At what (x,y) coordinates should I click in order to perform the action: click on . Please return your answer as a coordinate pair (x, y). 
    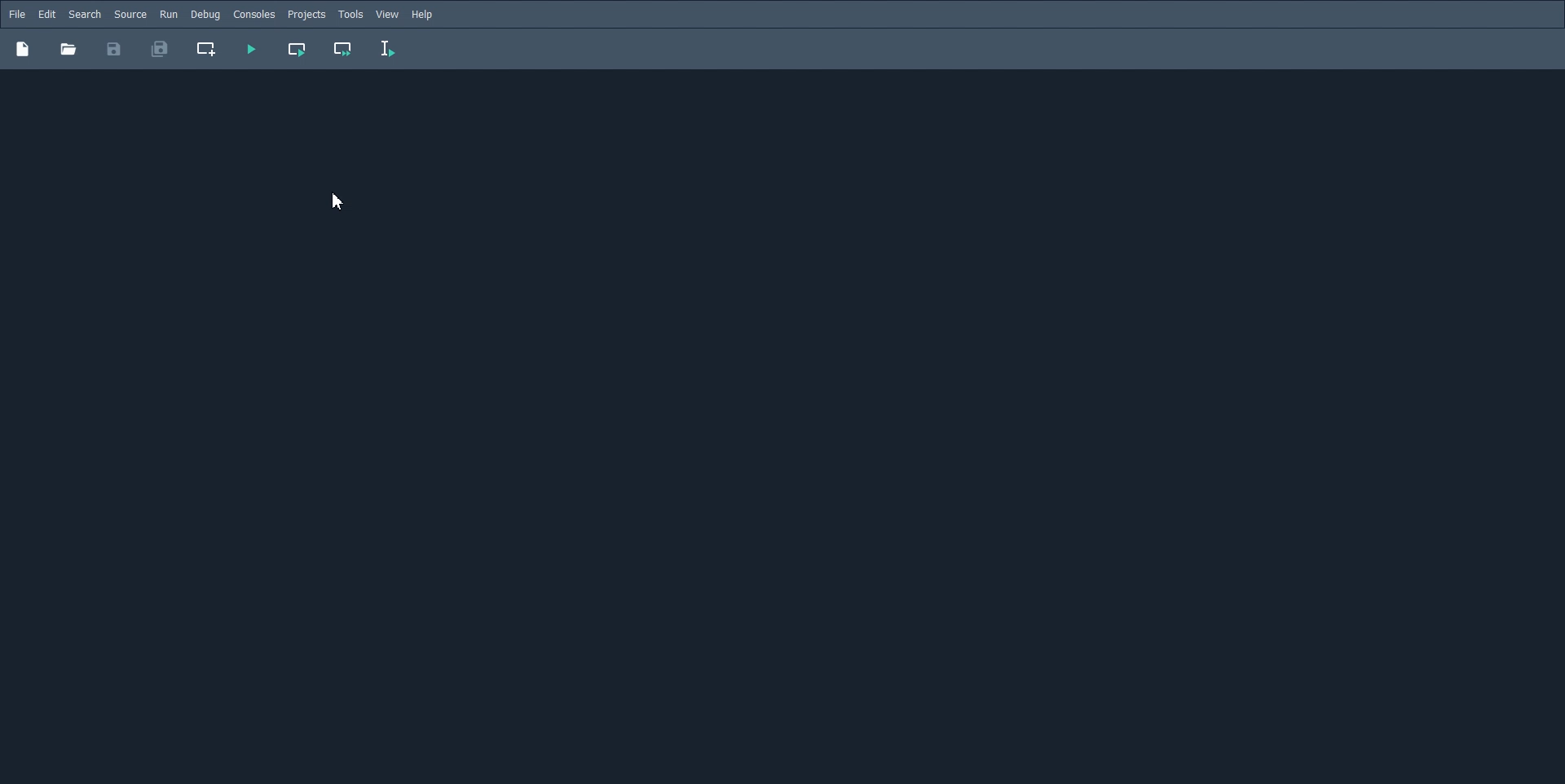
    Looking at the image, I should click on (68, 49).